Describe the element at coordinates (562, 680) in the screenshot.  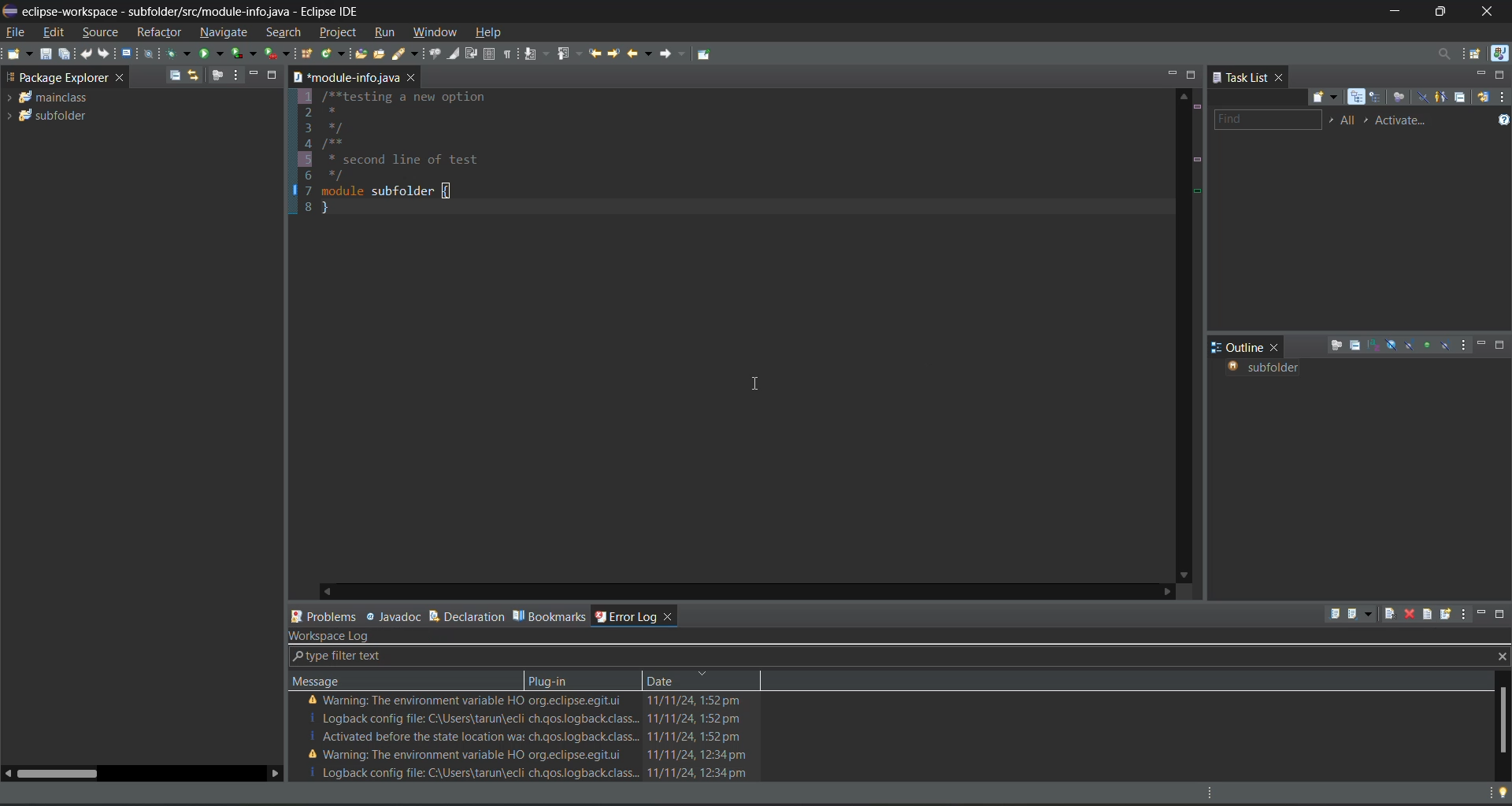
I see `plug in` at that location.